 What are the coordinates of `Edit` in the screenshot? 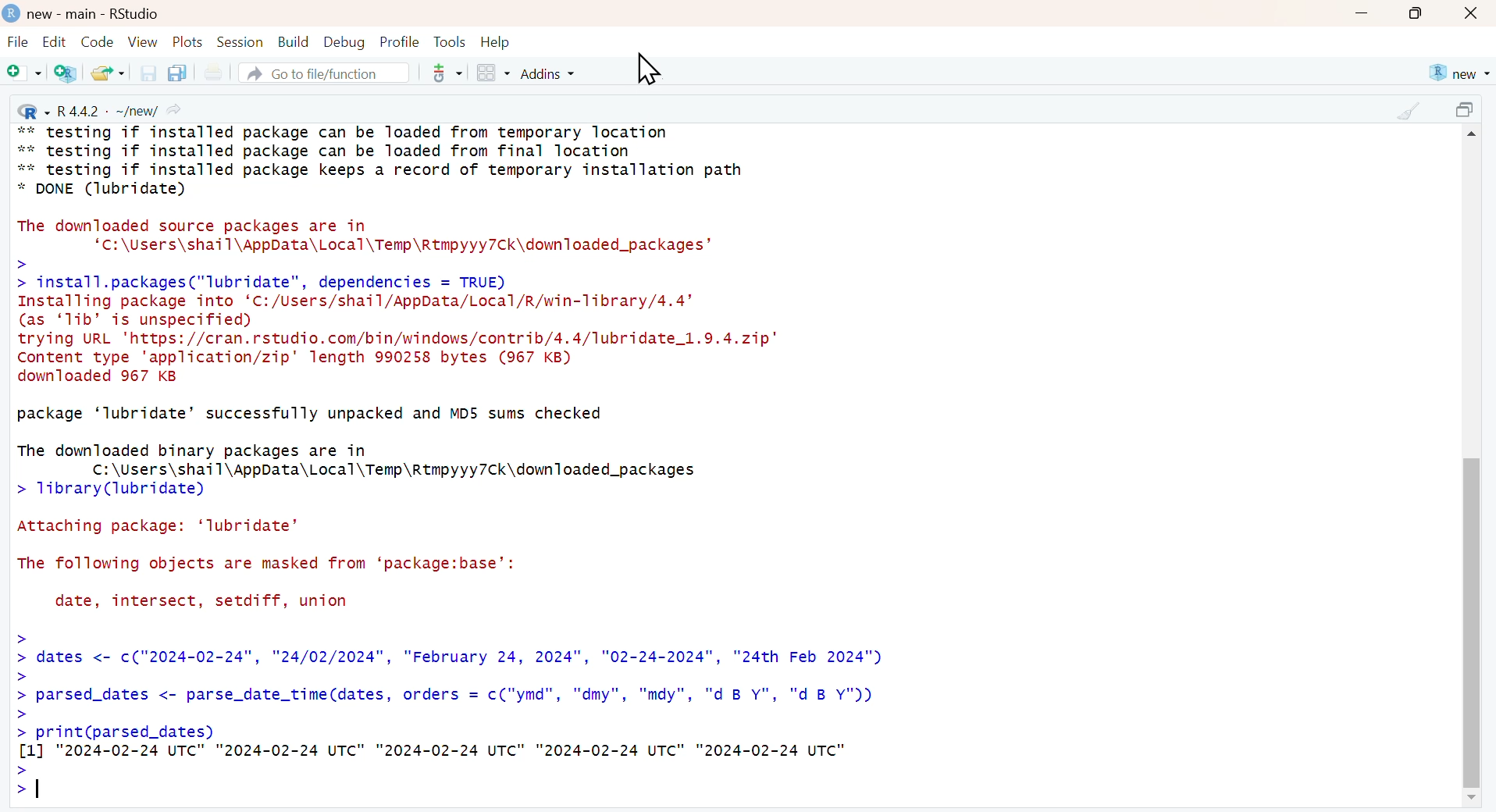 It's located at (54, 41).